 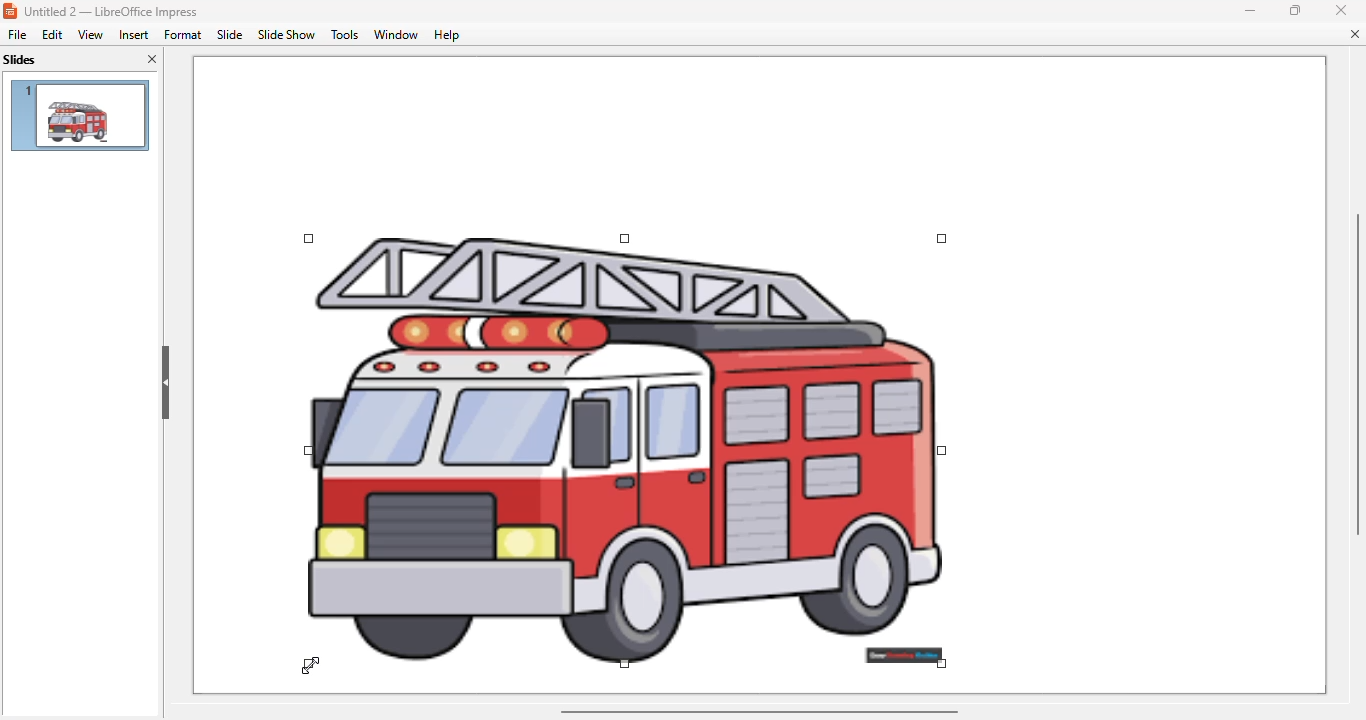 What do you see at coordinates (310, 451) in the screenshot?
I see `corner handles` at bounding box center [310, 451].